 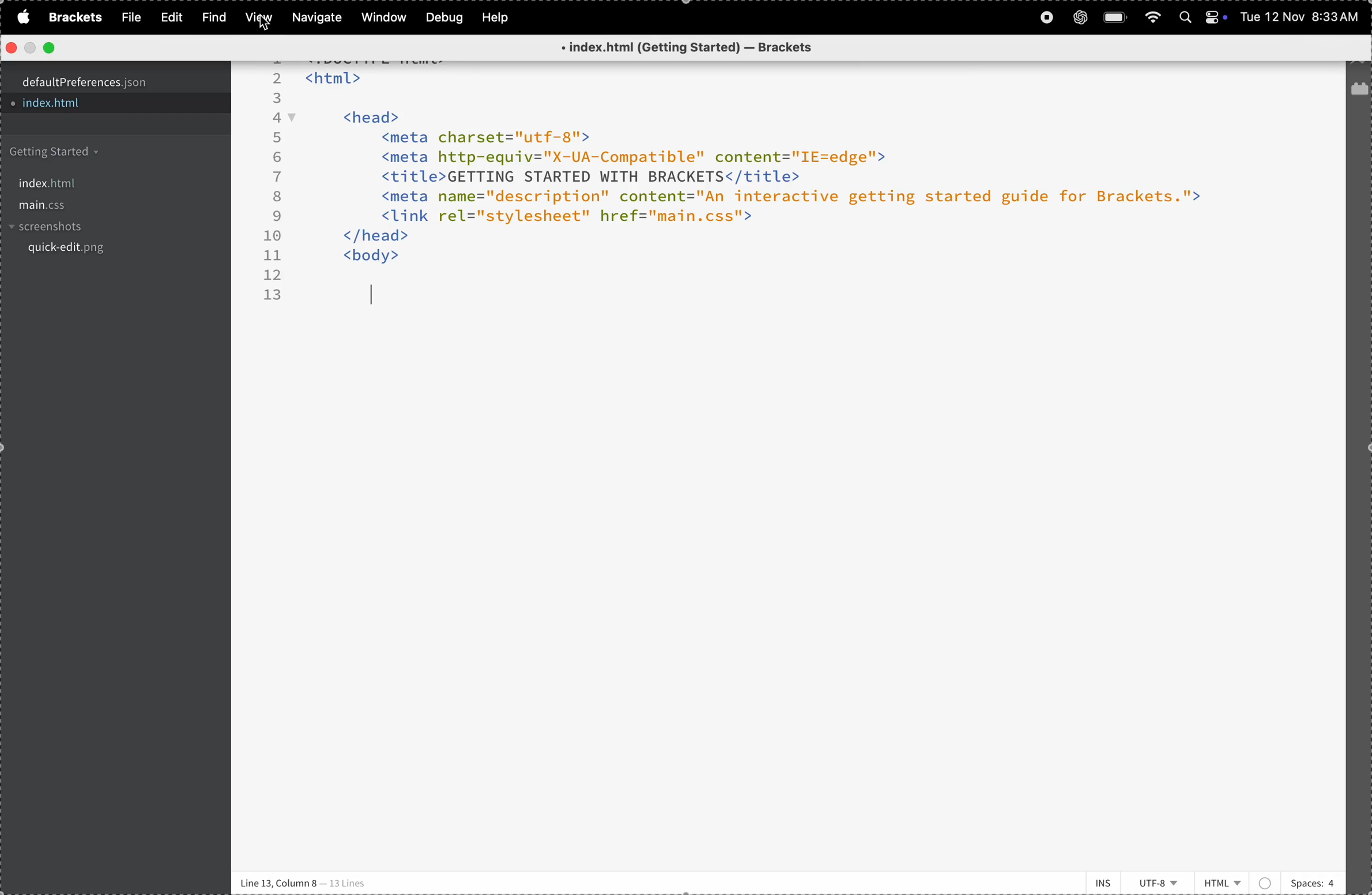 I want to click on maximize, so click(x=47, y=48).